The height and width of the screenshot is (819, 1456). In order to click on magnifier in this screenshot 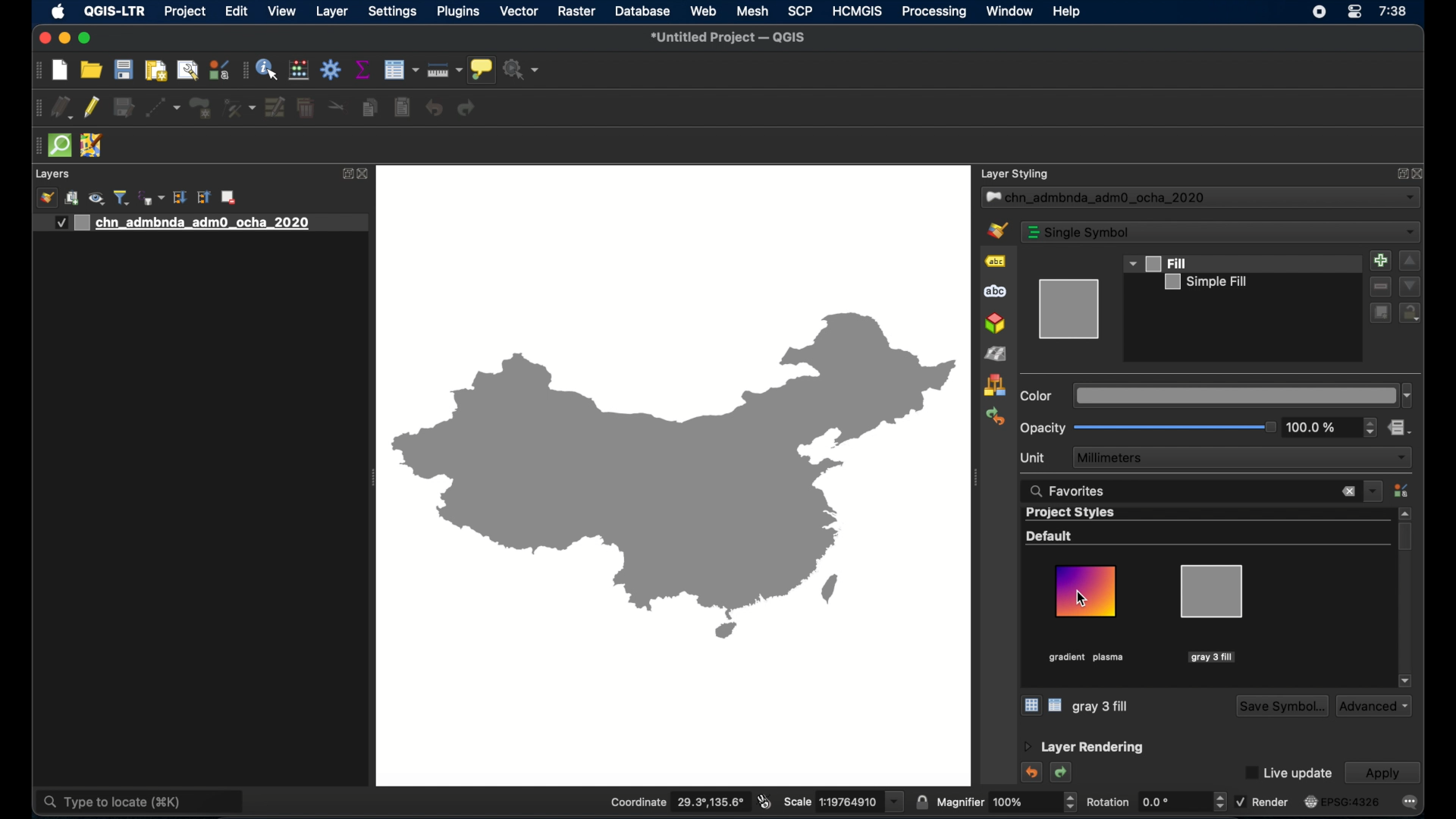, I will do `click(998, 802)`.